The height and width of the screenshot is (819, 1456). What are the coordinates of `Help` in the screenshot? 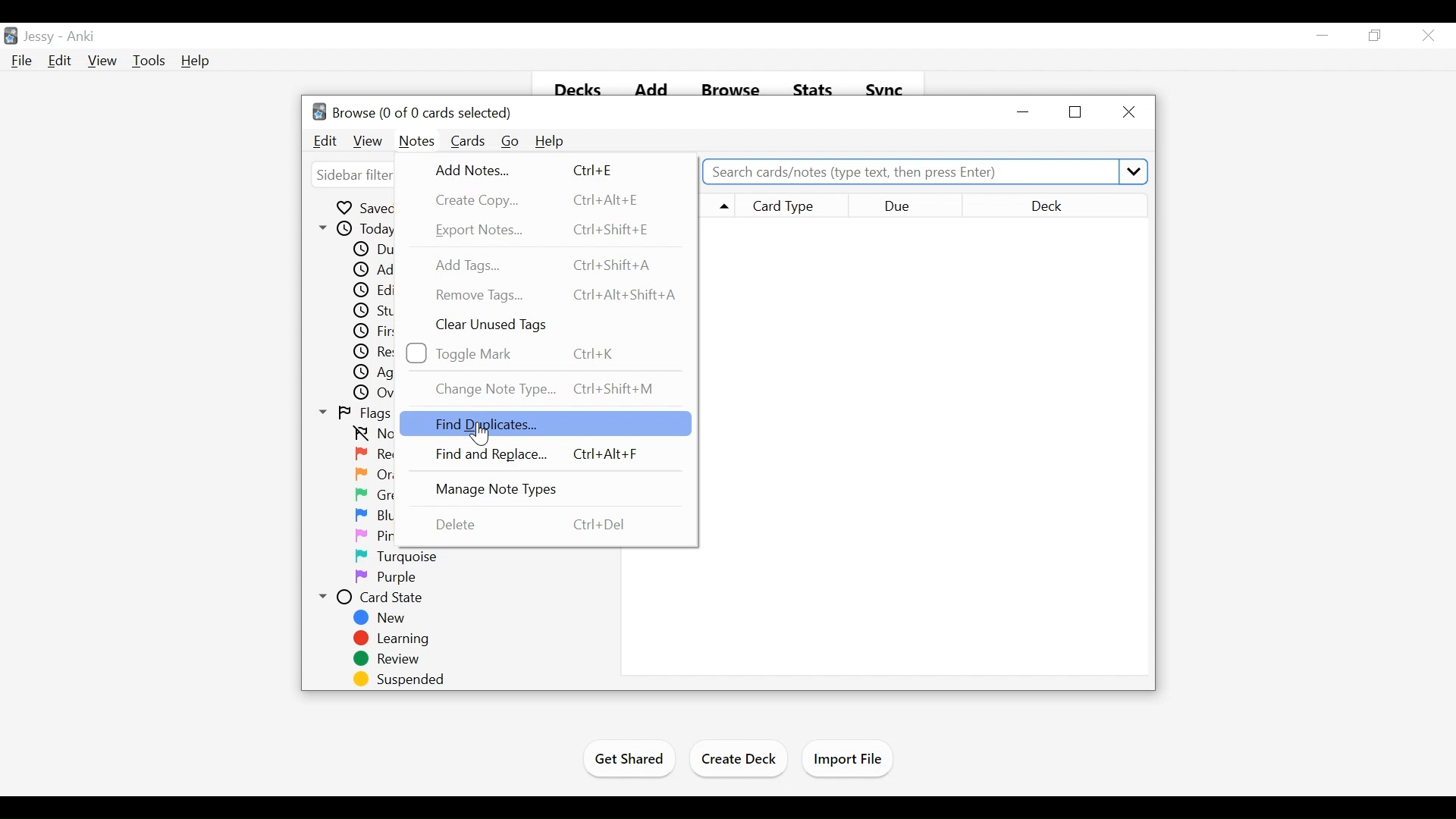 It's located at (550, 142).